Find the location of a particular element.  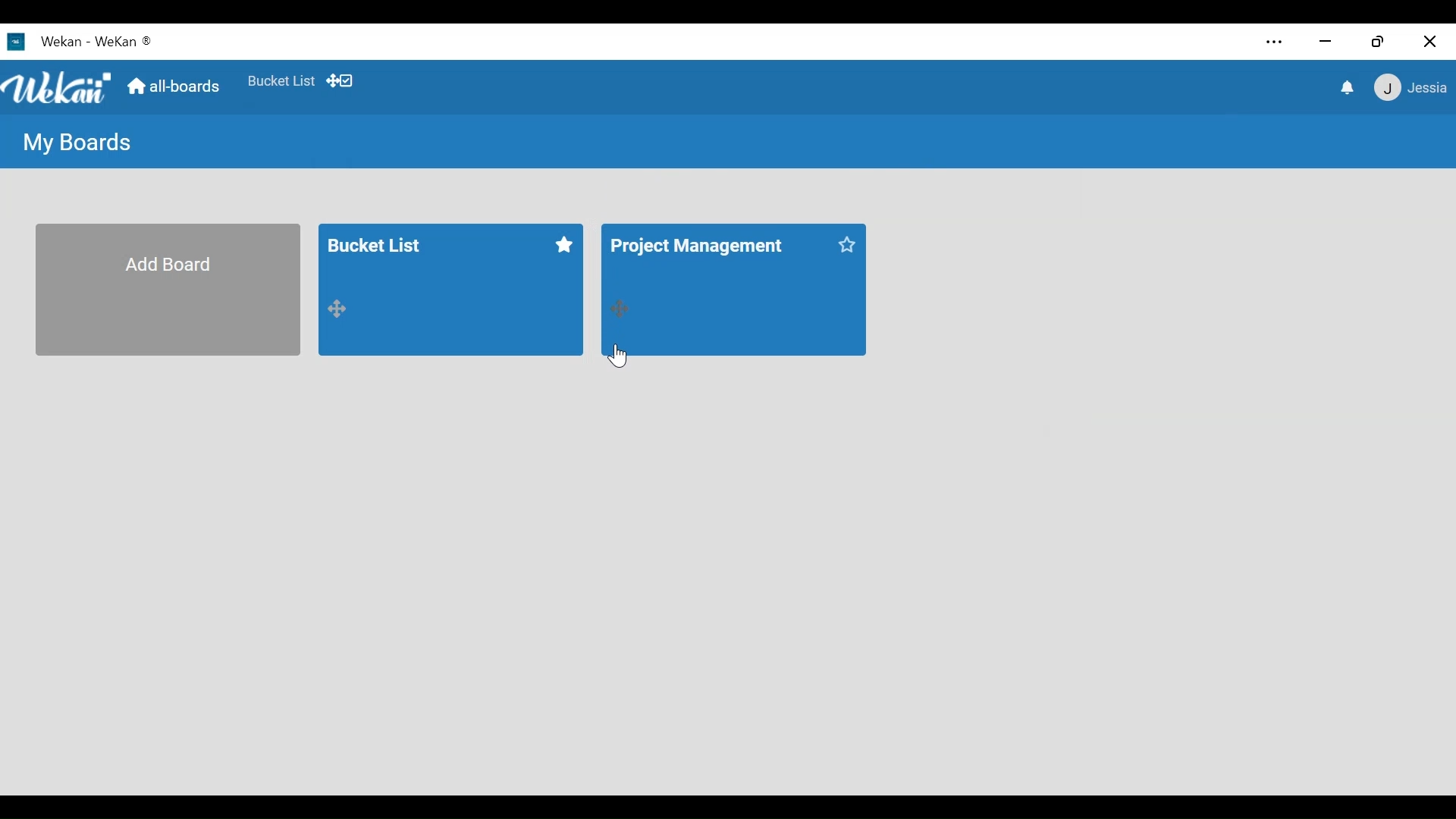

notifications is located at coordinates (1345, 86).